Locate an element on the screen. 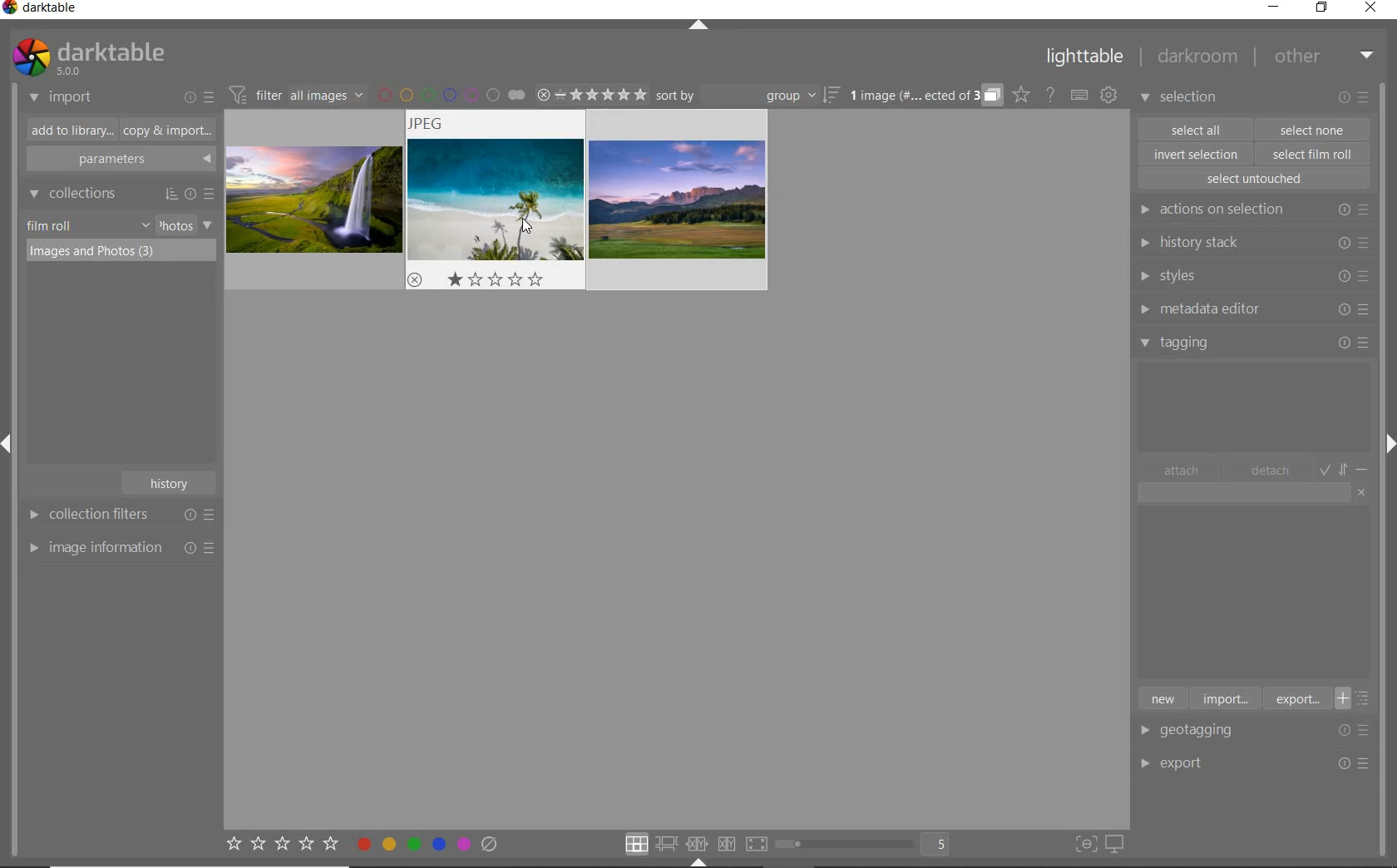 The image size is (1397, 868). history is located at coordinates (171, 481).